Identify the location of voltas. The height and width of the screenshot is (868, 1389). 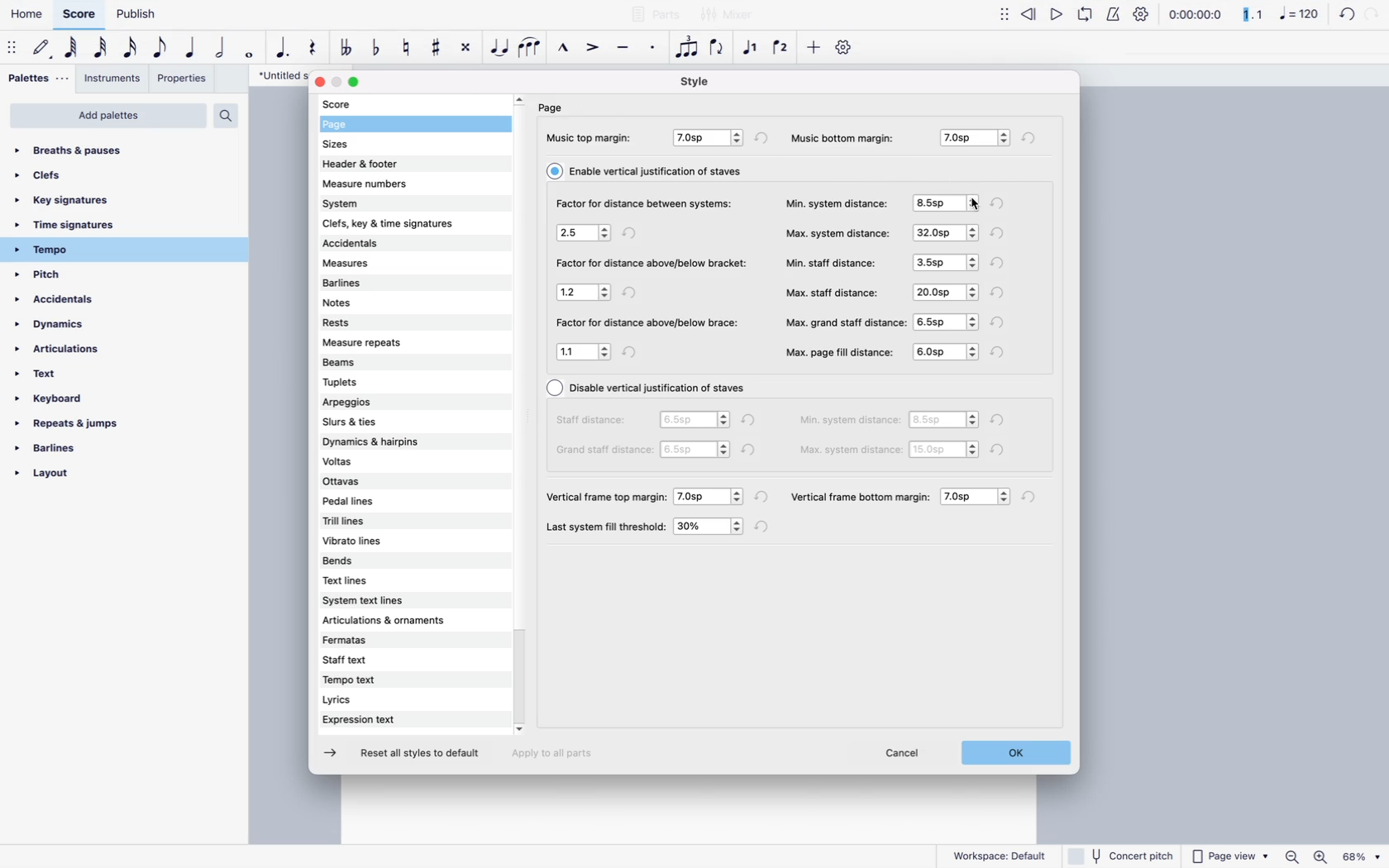
(380, 461).